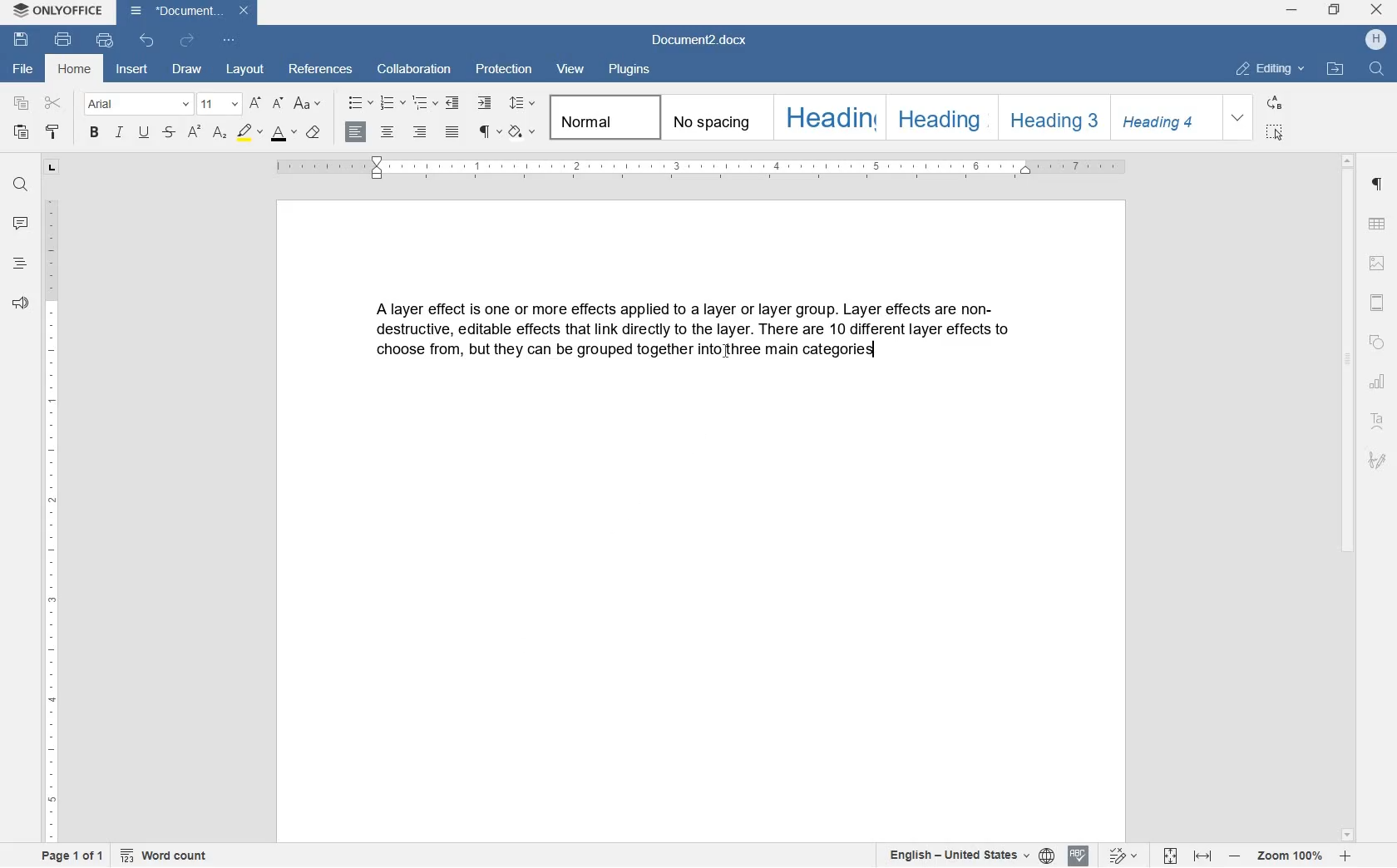  Describe the element at coordinates (414, 70) in the screenshot. I see `collaboration` at that location.